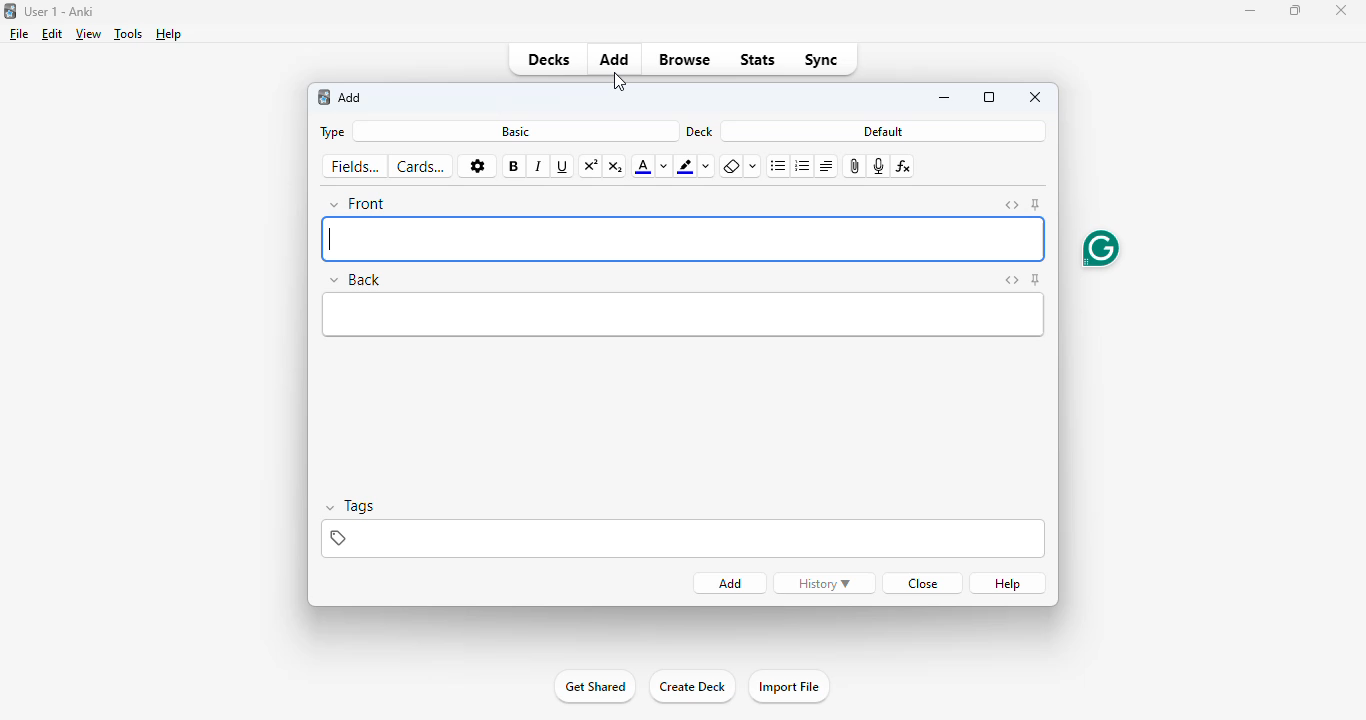 The height and width of the screenshot is (720, 1366). I want to click on text color, so click(642, 167).